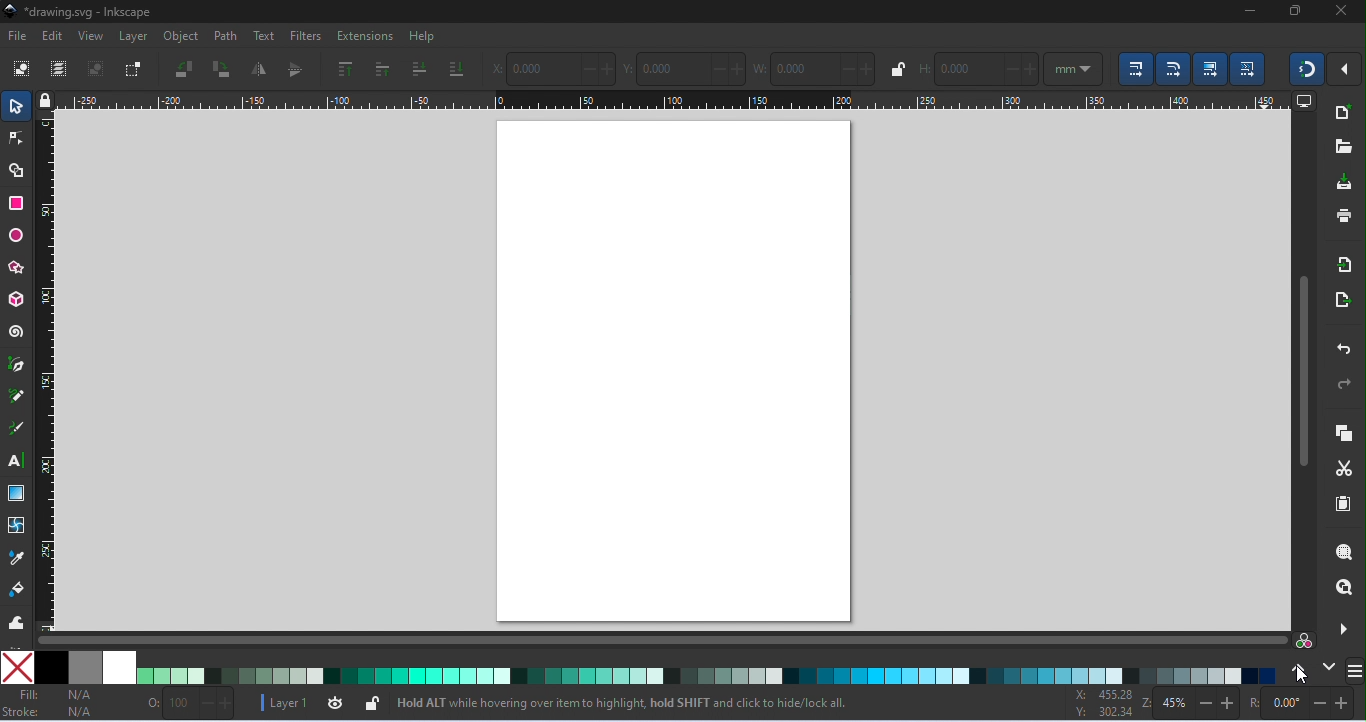 Image resolution: width=1366 pixels, height=722 pixels. What do you see at coordinates (61, 69) in the screenshot?
I see `select all in all layers` at bounding box center [61, 69].